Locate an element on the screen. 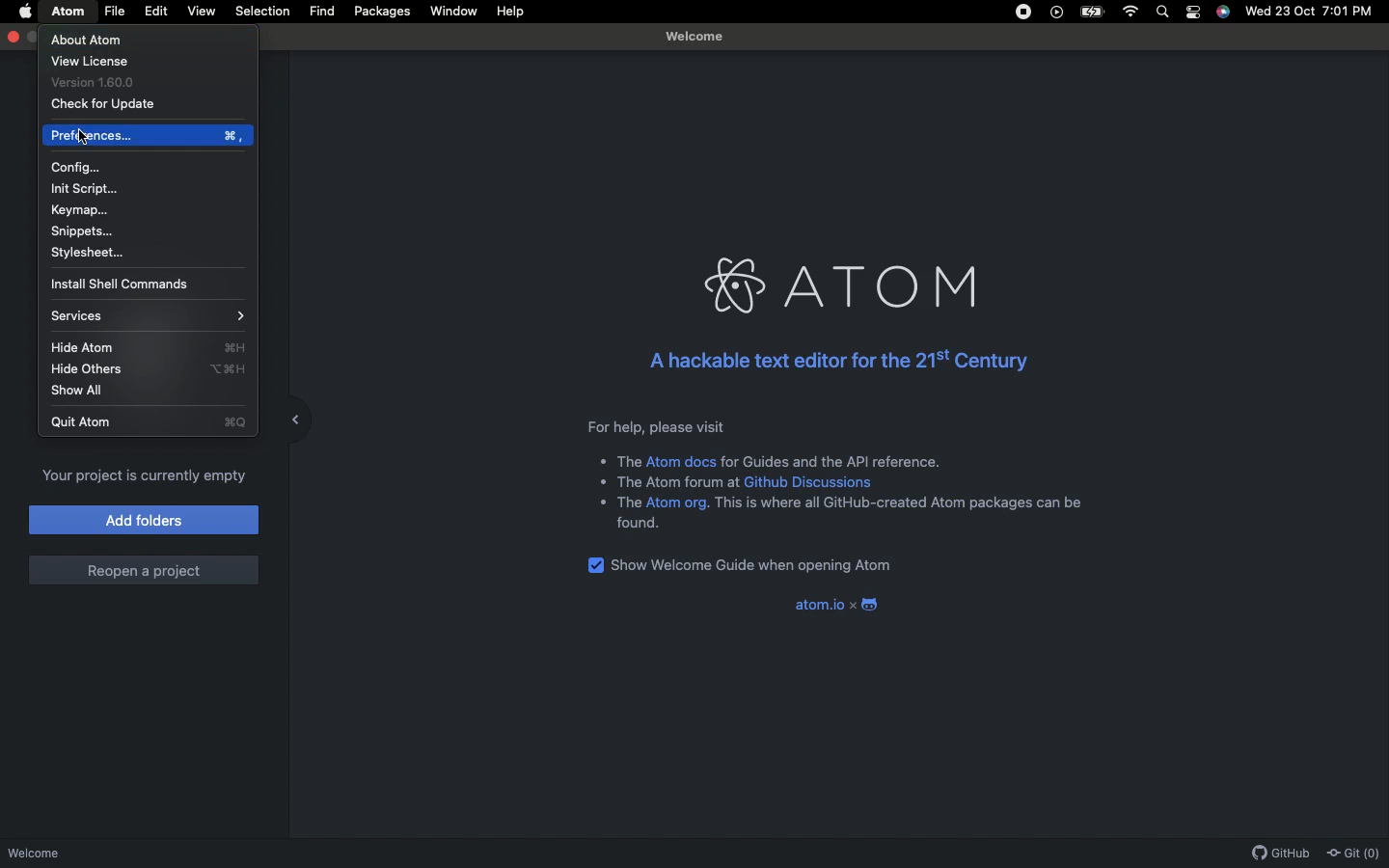  The Atom forum at Github discussions is located at coordinates (745, 483).